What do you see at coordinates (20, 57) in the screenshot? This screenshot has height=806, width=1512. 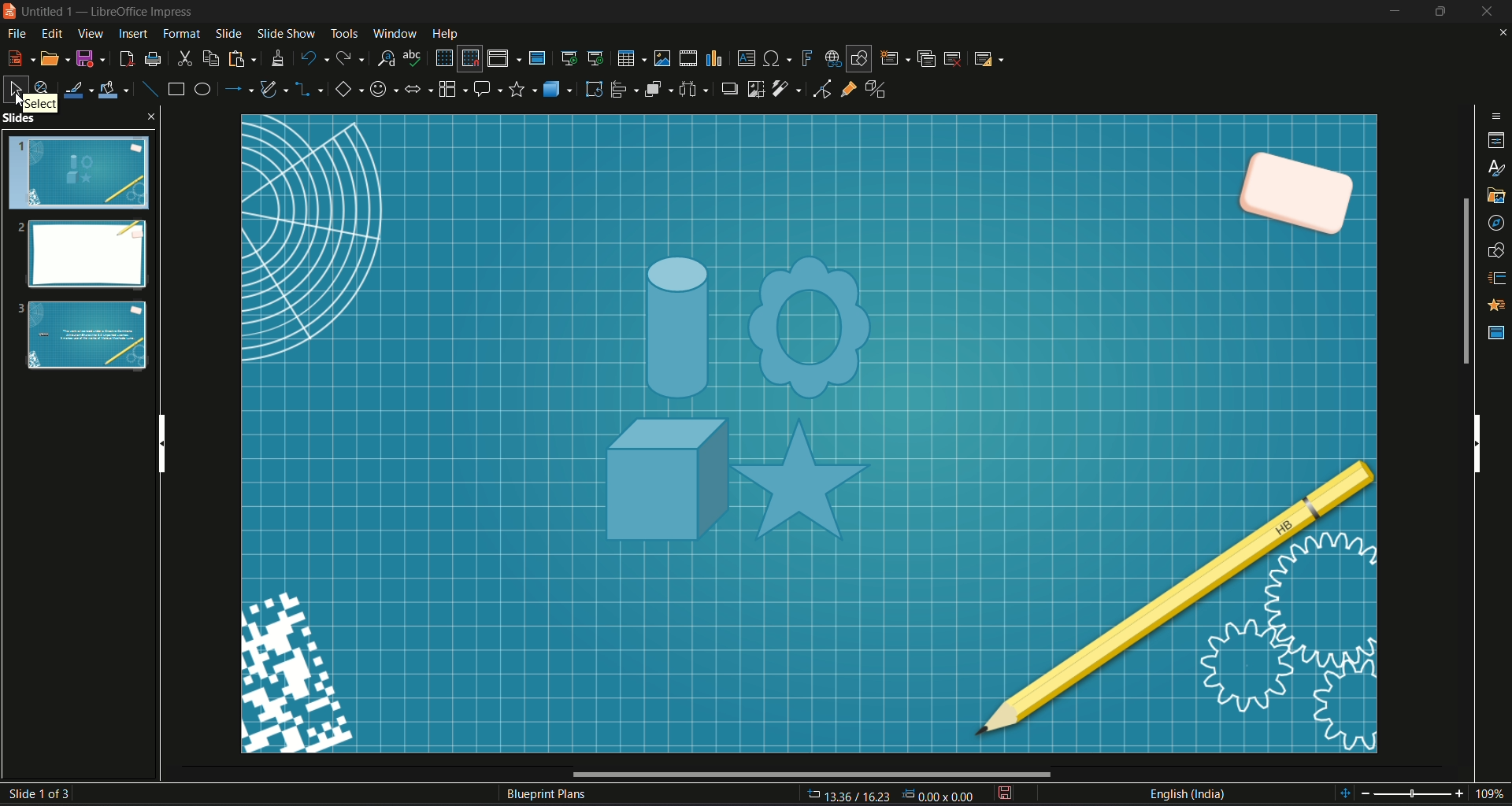 I see `new` at bounding box center [20, 57].